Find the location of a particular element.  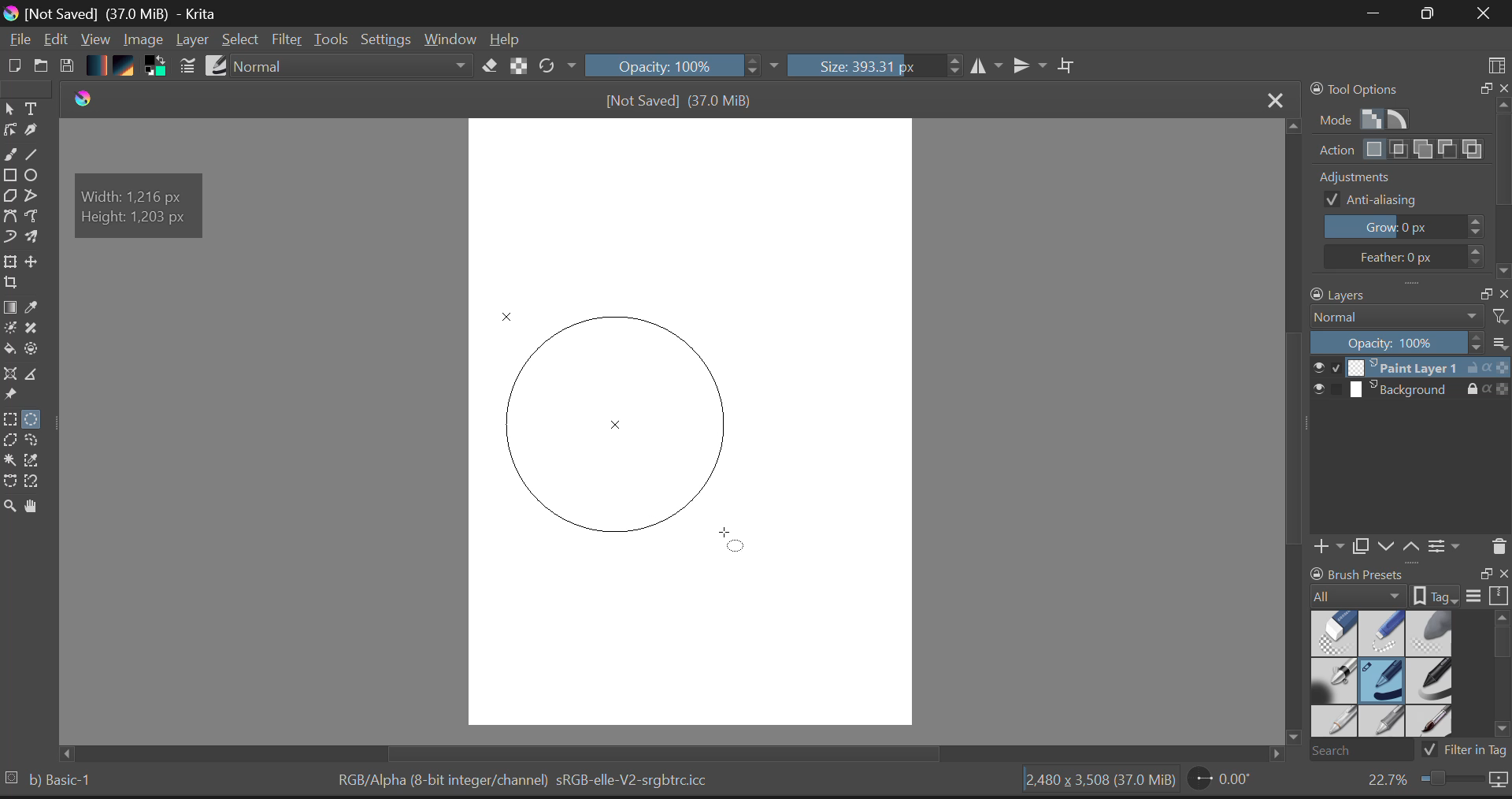

freehand curve is located at coordinates (13, 156).